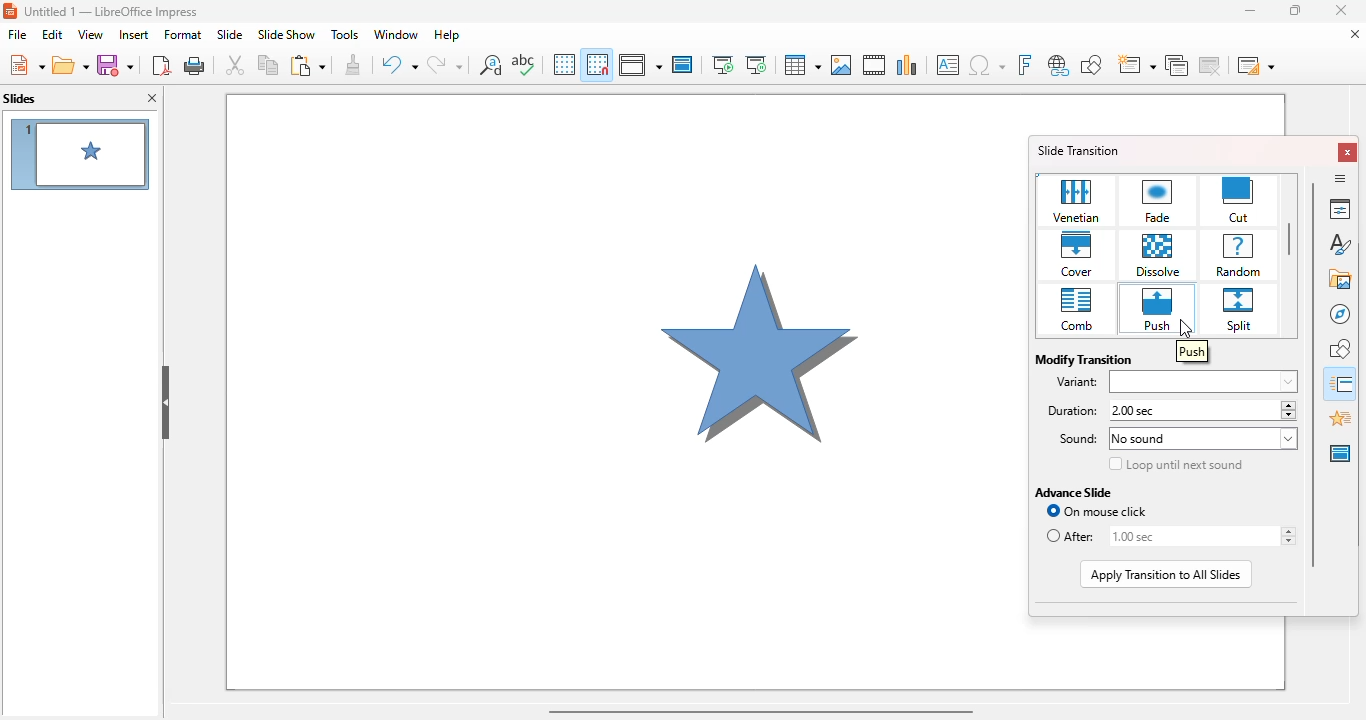 The image size is (1366, 720). I want to click on new, so click(25, 64).